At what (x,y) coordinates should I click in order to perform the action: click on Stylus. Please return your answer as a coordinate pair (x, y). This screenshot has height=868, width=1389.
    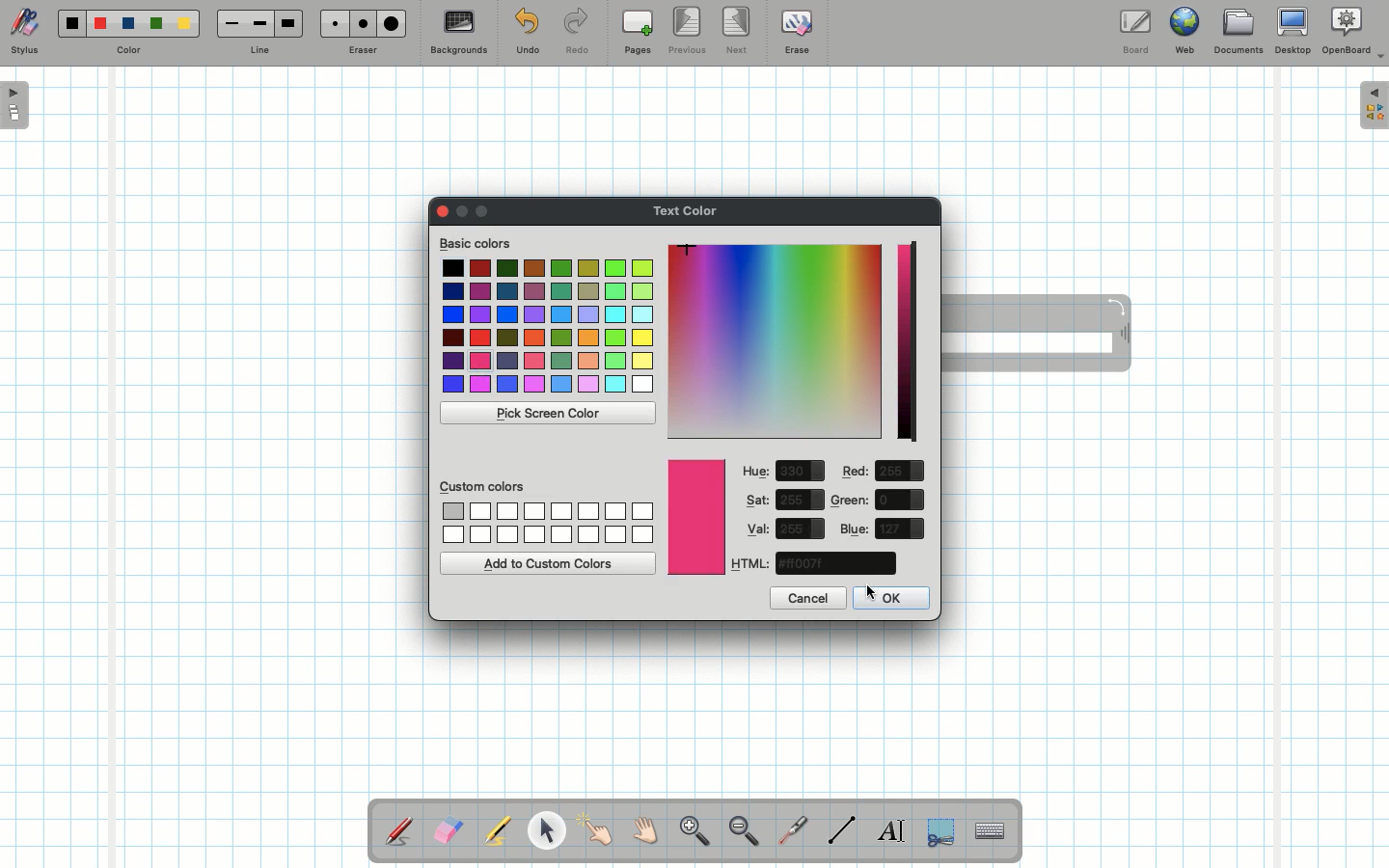
    Looking at the image, I should click on (400, 830).